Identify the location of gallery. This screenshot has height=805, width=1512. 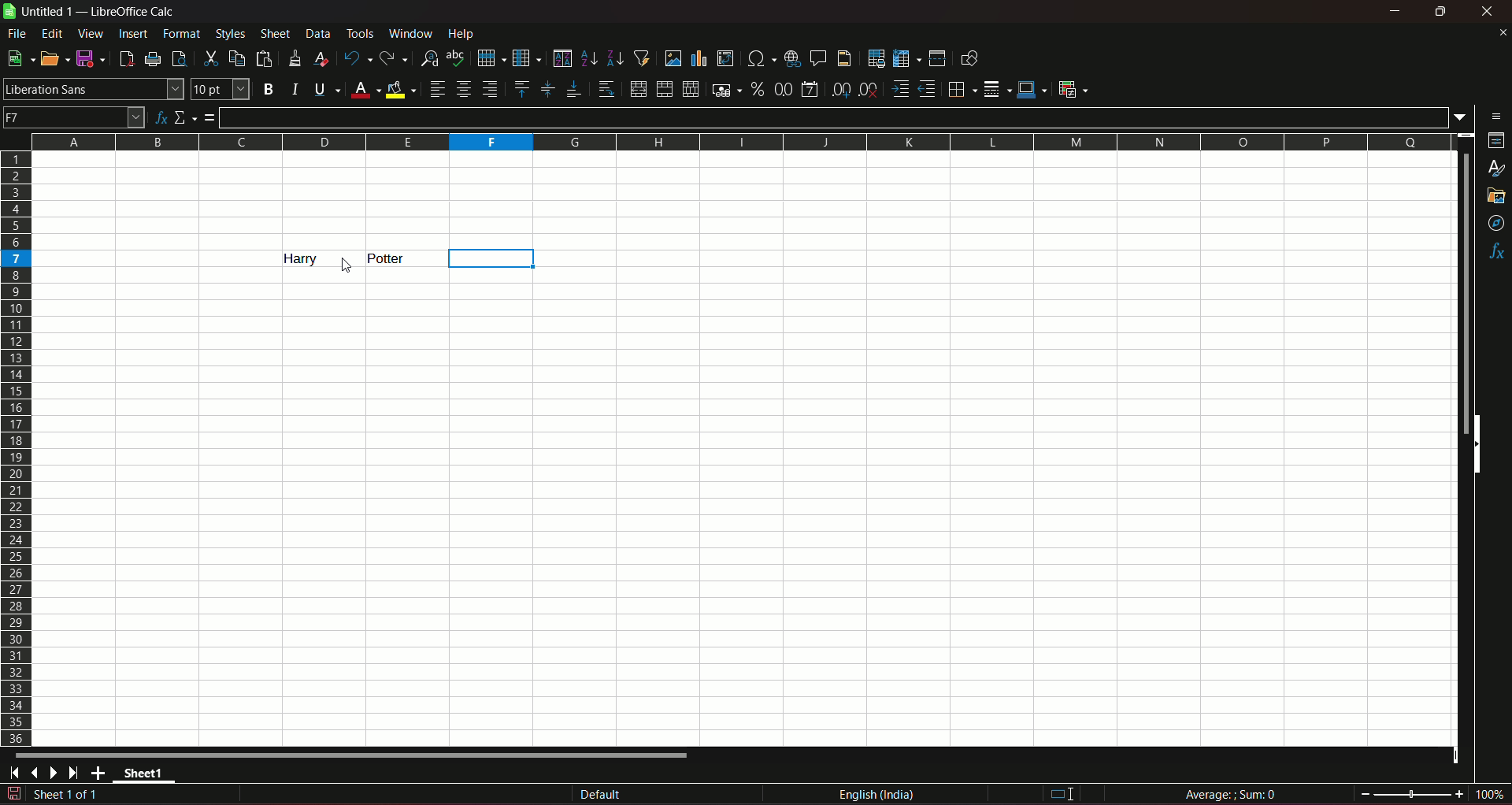
(1495, 196).